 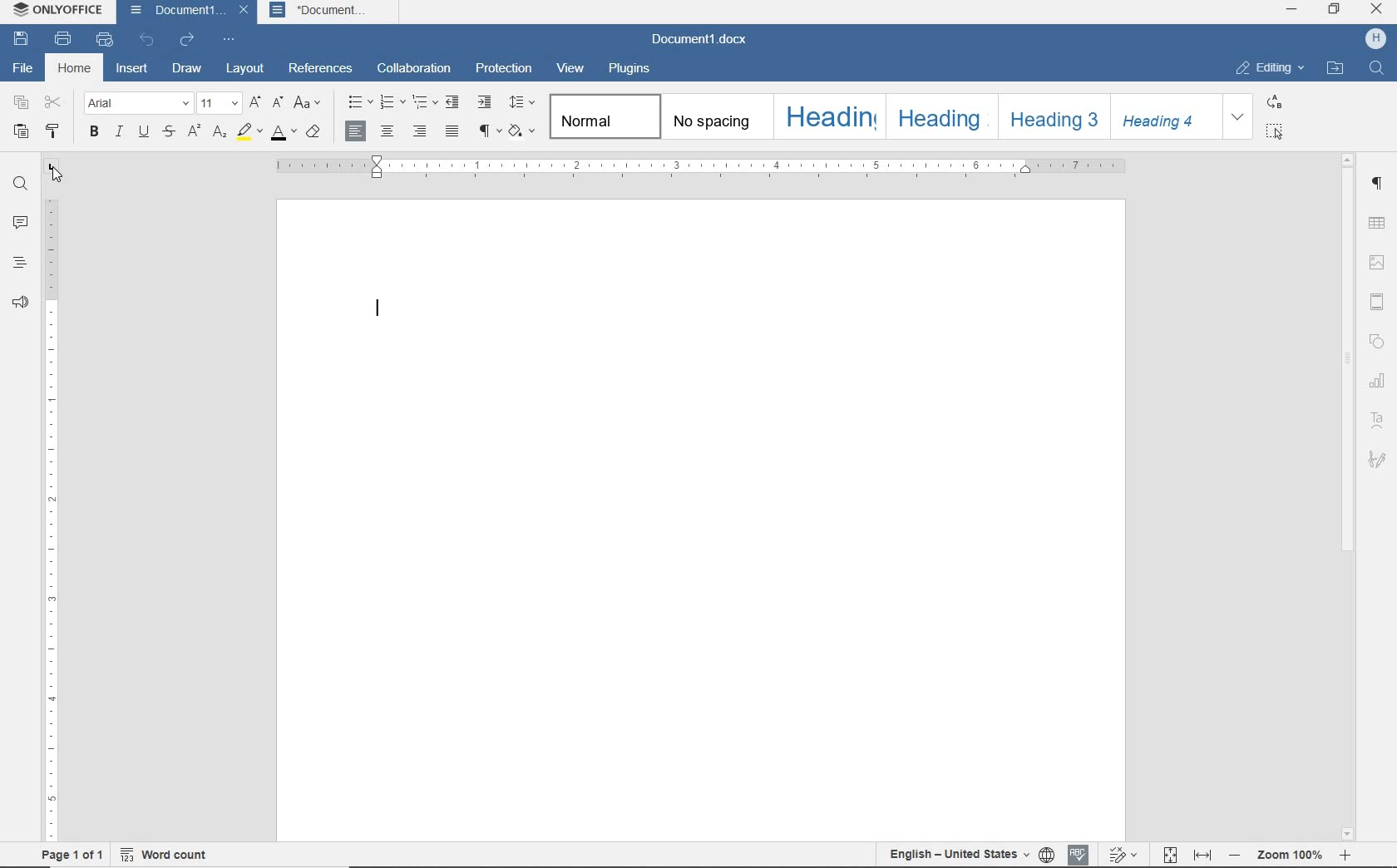 What do you see at coordinates (1379, 343) in the screenshot?
I see `SHAPE` at bounding box center [1379, 343].